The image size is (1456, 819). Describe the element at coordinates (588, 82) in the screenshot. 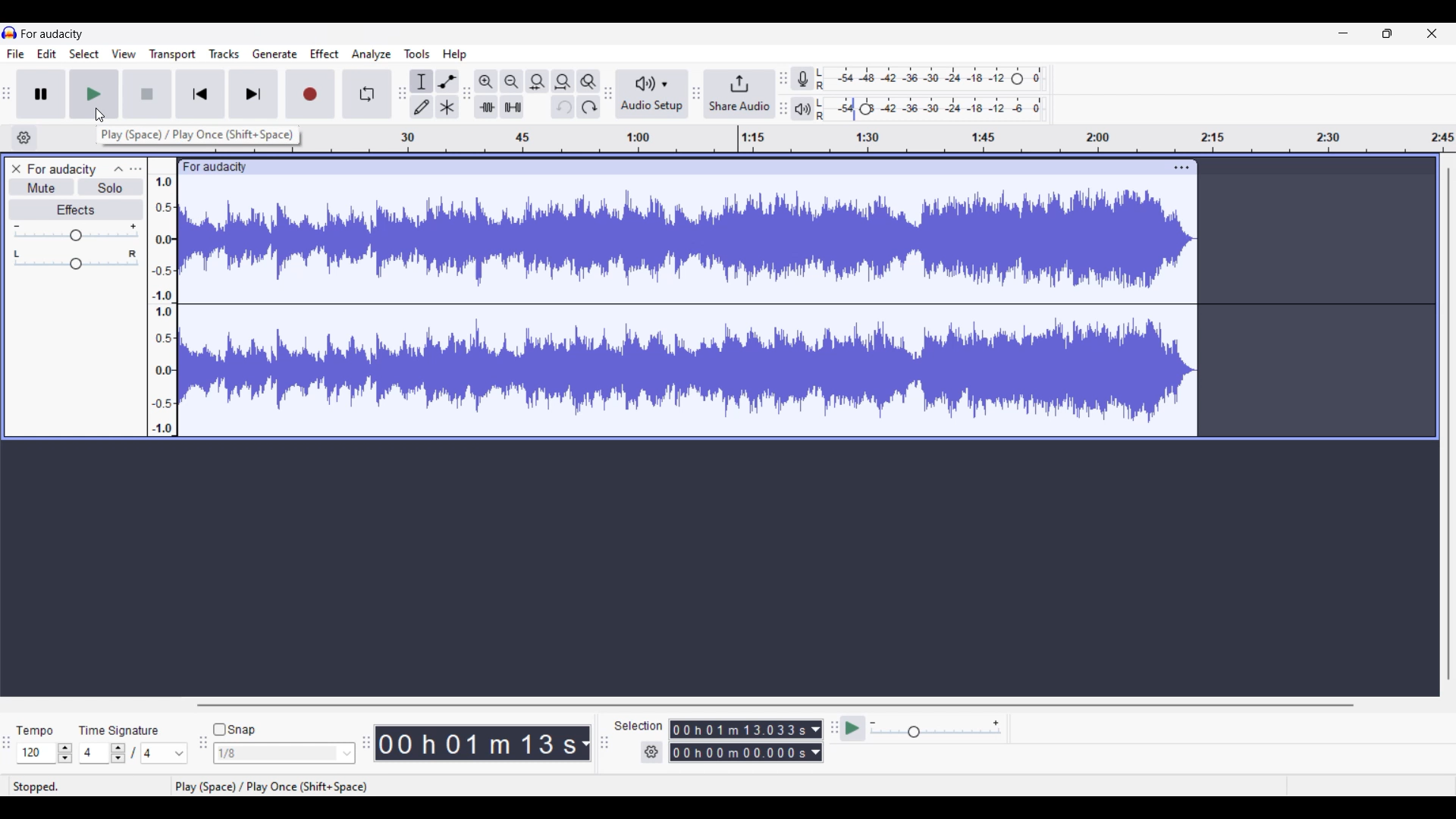

I see `Zoom toggle` at that location.